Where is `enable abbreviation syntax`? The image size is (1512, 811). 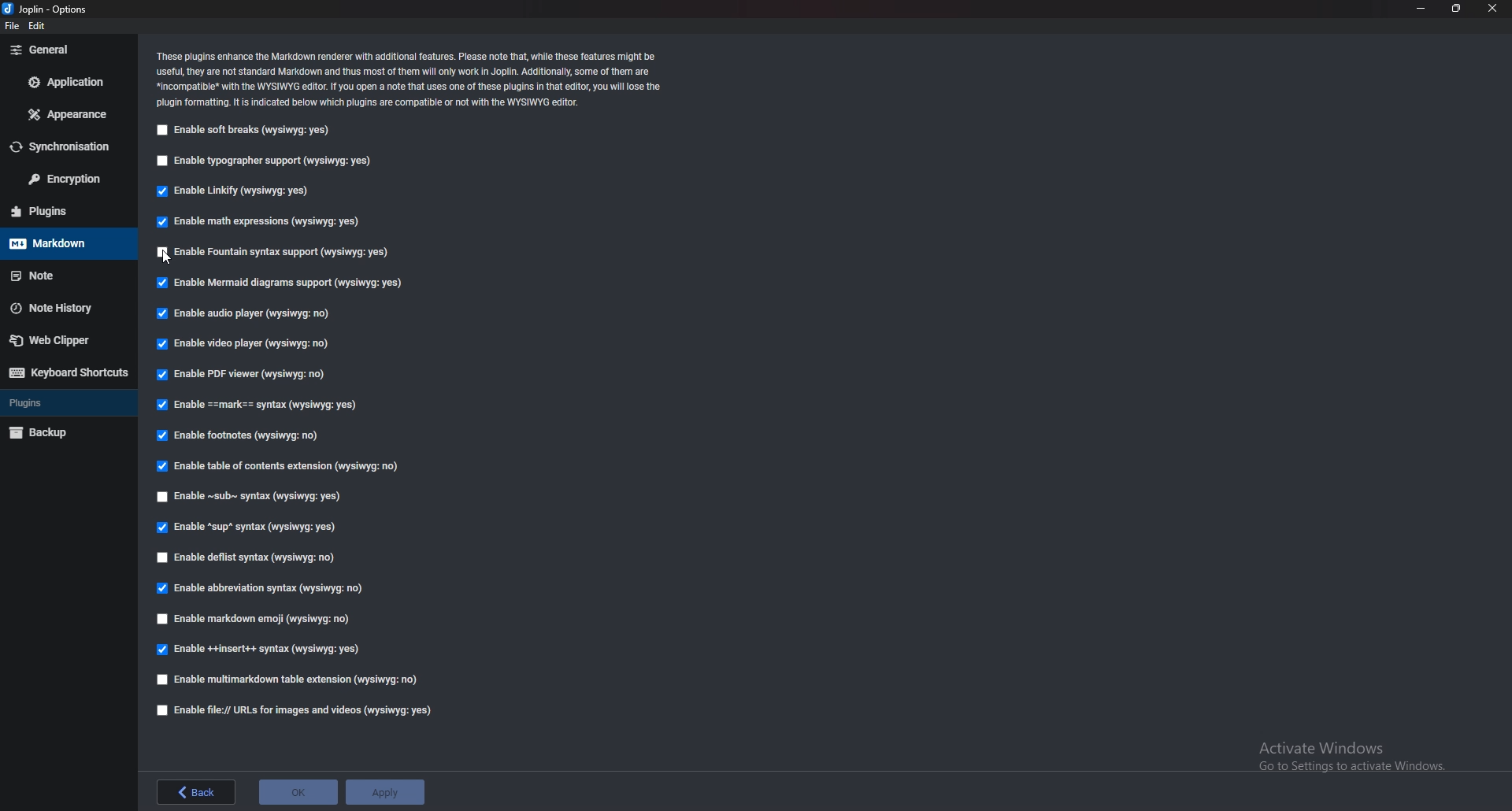 enable abbreviation syntax is located at coordinates (270, 587).